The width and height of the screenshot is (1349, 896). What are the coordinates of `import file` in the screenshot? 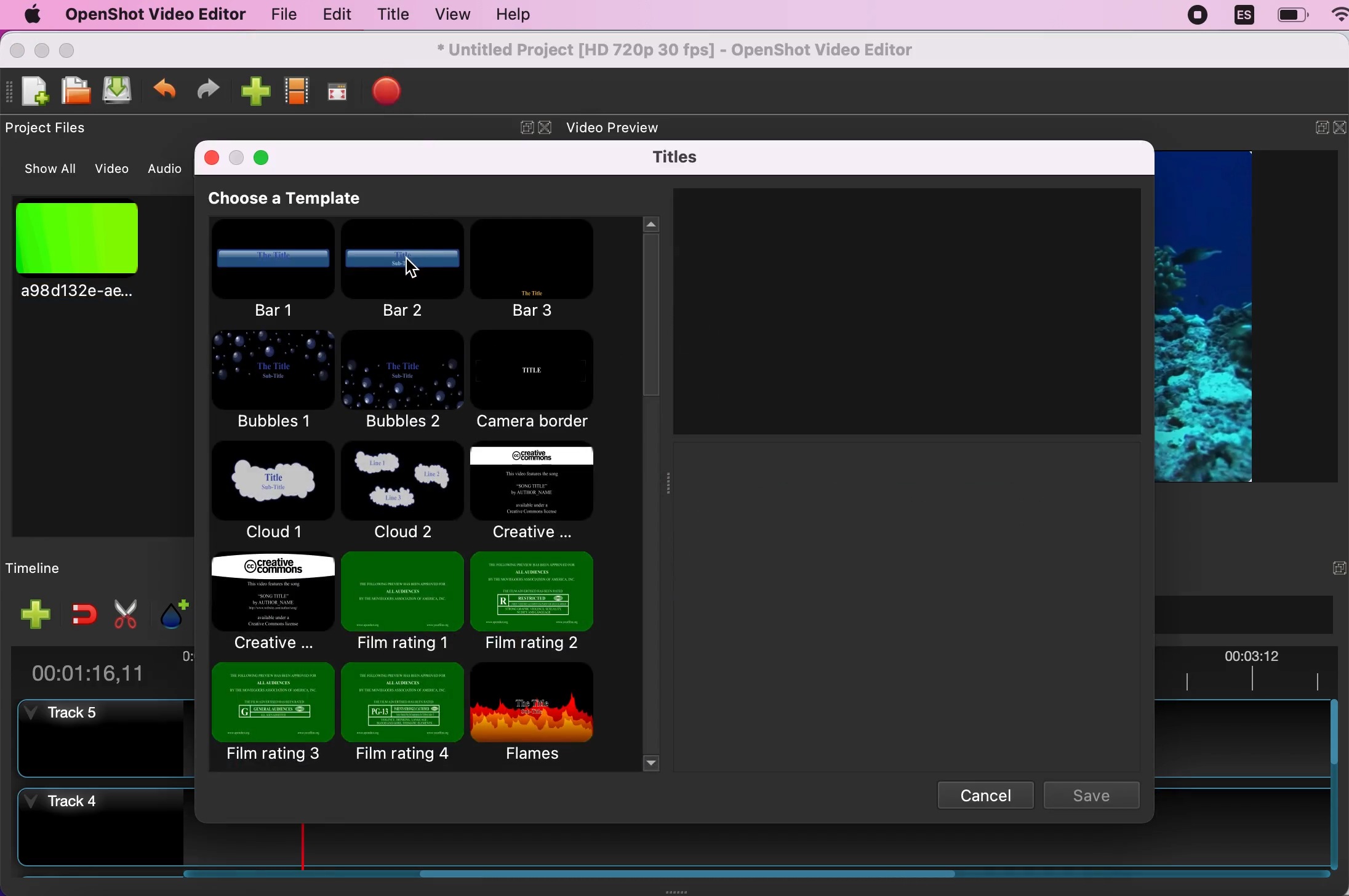 It's located at (255, 90).